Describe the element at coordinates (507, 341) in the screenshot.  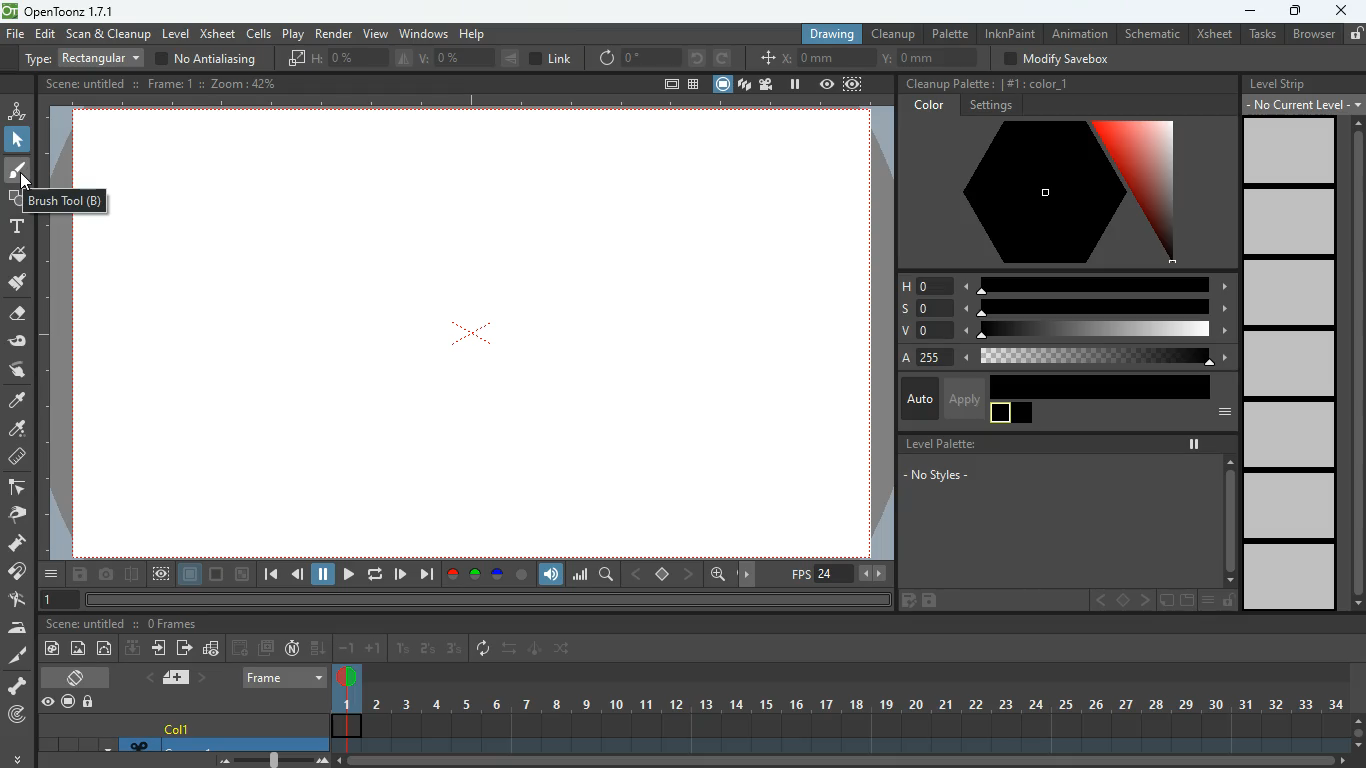
I see `screen` at that location.